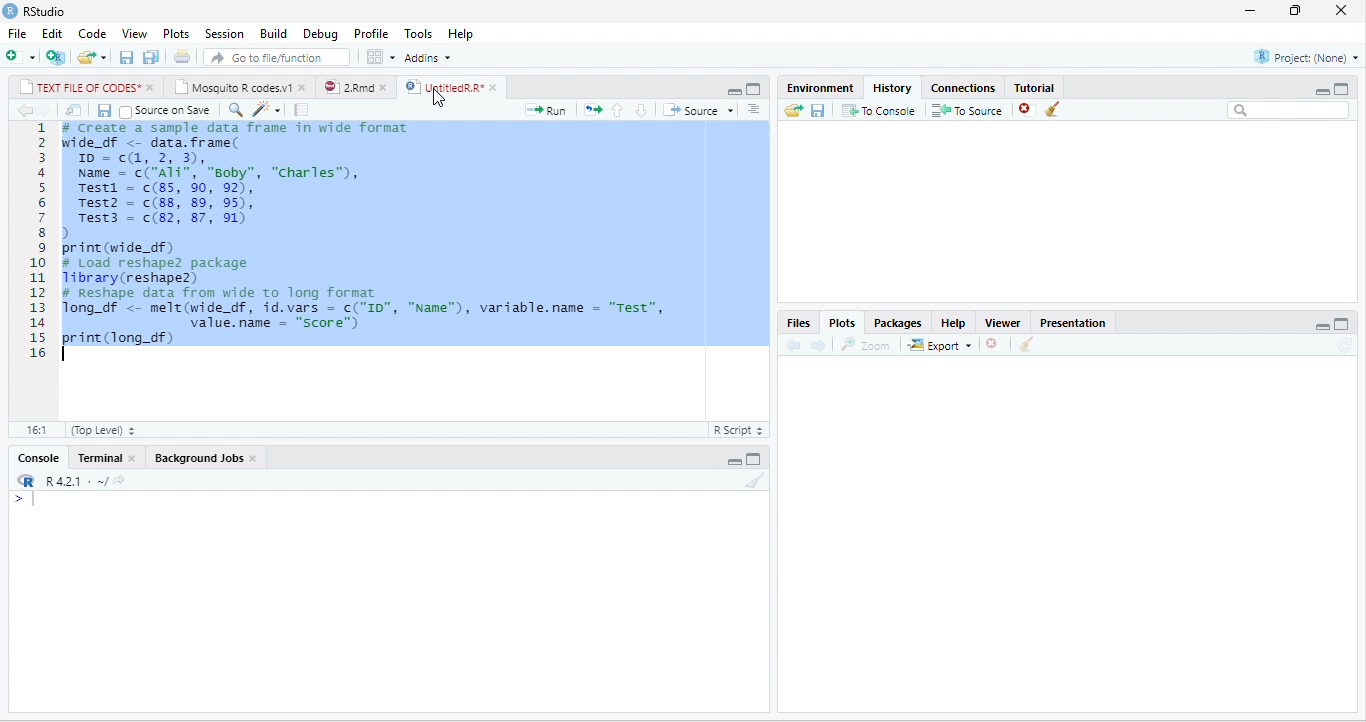  Describe the element at coordinates (322, 35) in the screenshot. I see `Debug` at that location.